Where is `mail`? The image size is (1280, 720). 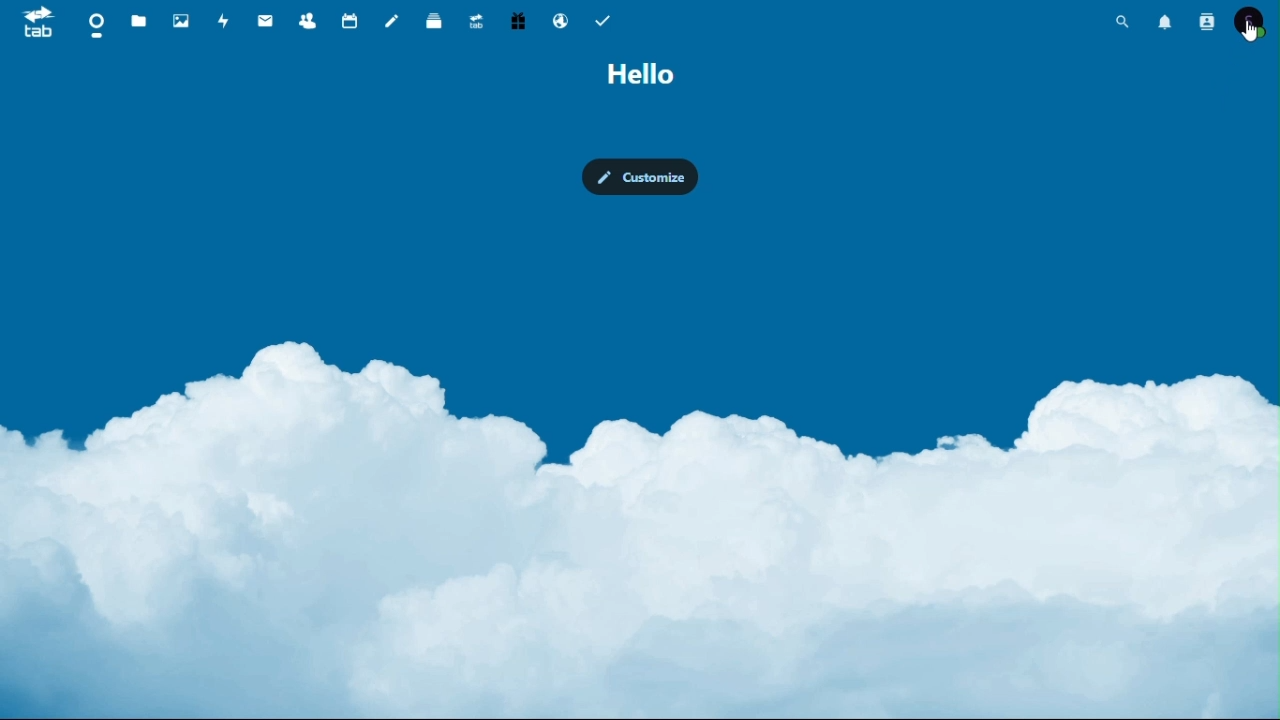
mail is located at coordinates (266, 20).